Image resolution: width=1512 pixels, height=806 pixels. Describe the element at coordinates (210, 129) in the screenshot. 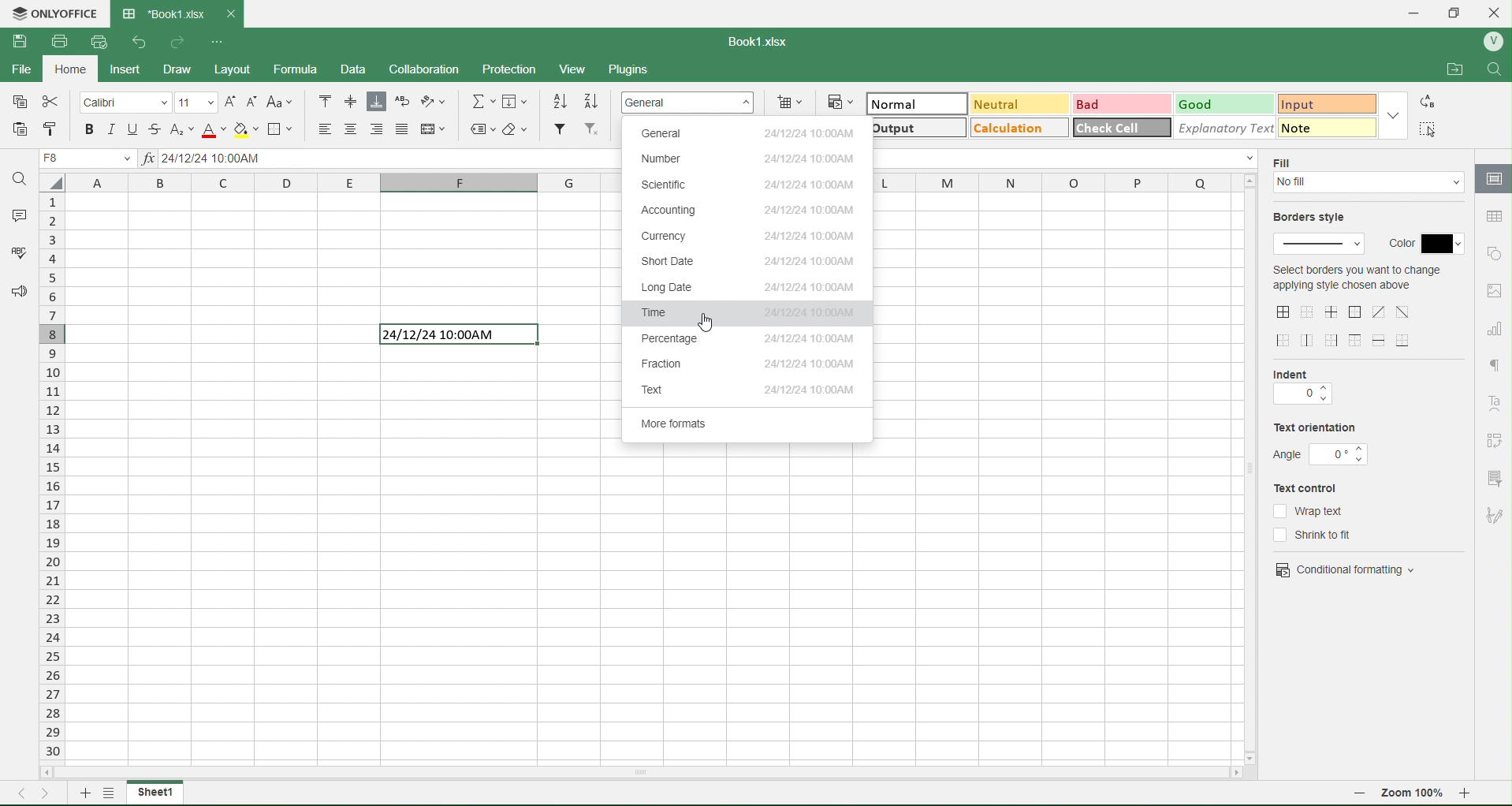

I see `Font Color` at that location.